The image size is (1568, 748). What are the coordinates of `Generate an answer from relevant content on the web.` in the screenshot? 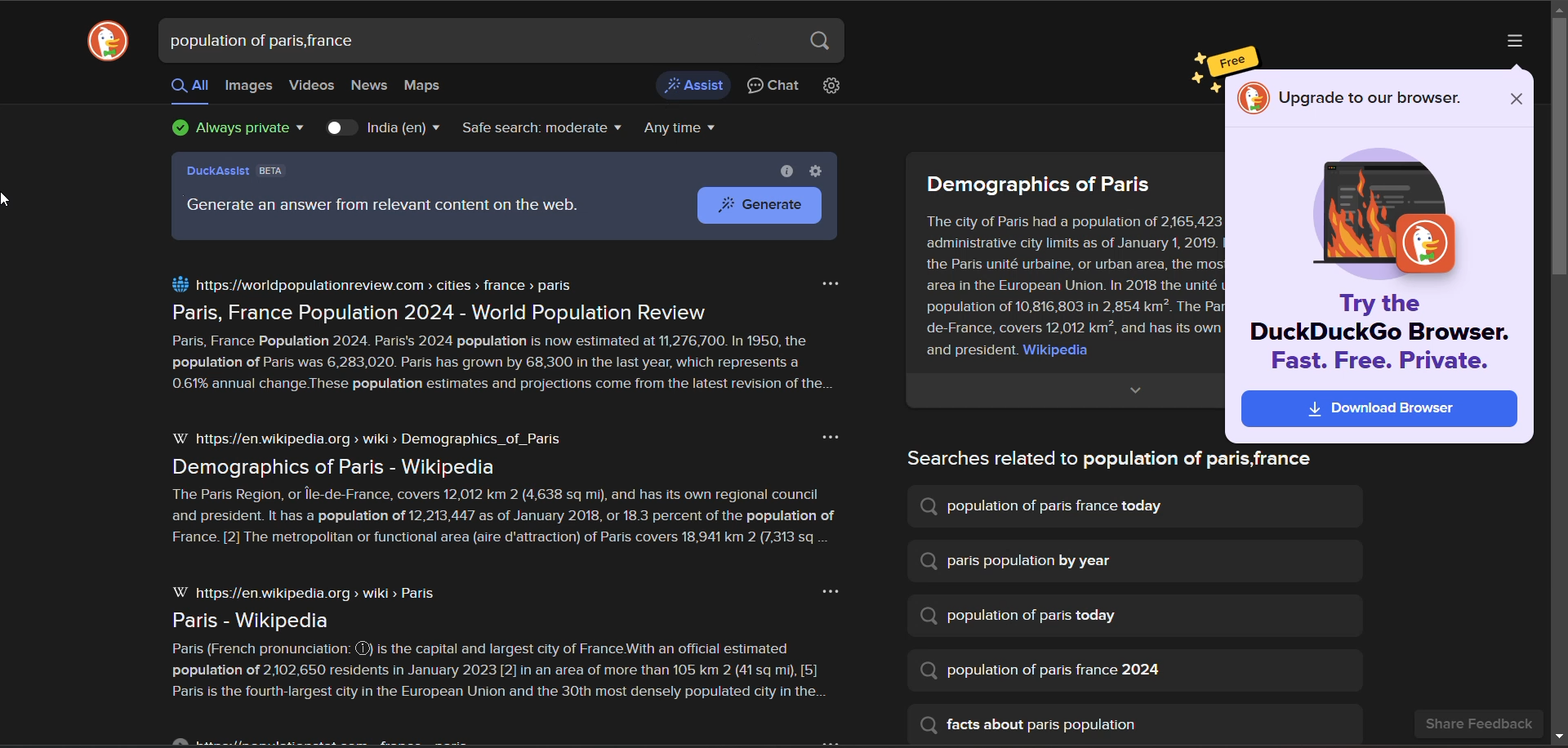 It's located at (383, 207).